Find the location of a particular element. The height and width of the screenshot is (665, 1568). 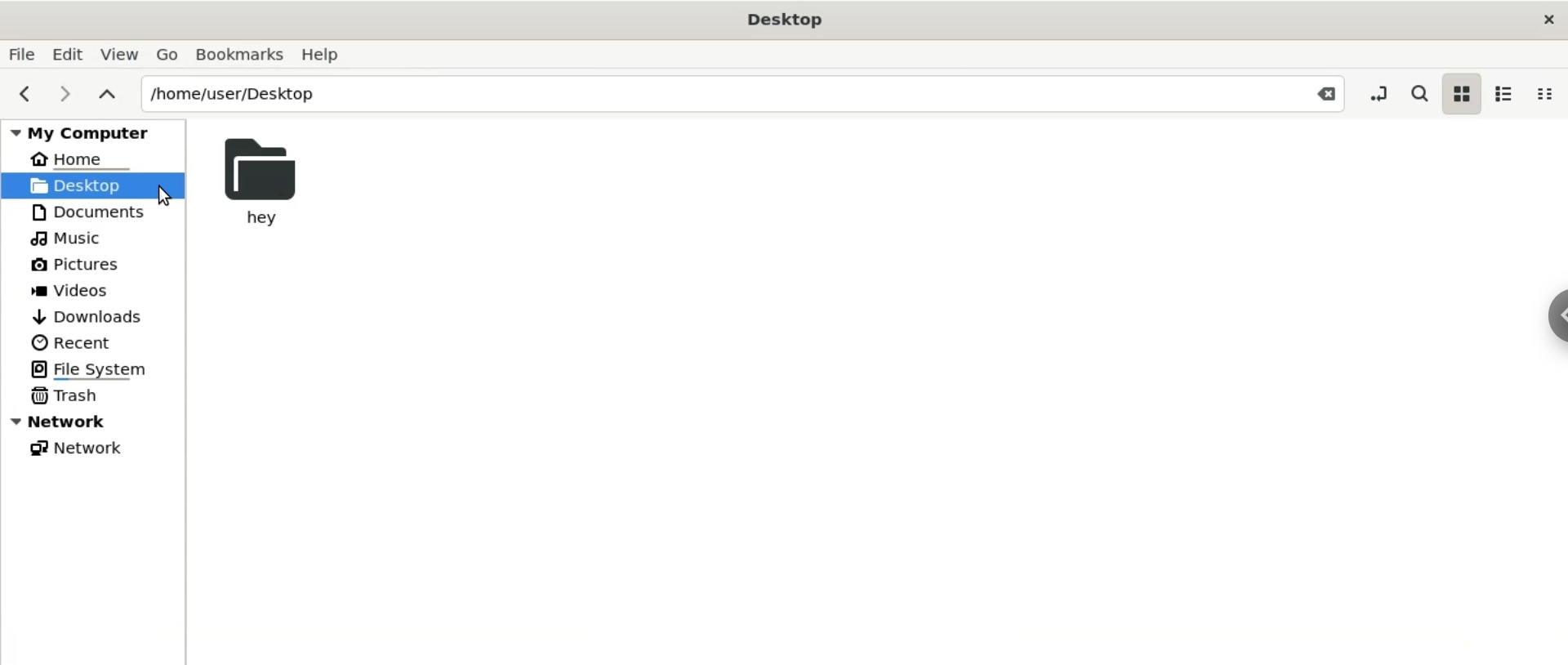

Go is located at coordinates (167, 54).